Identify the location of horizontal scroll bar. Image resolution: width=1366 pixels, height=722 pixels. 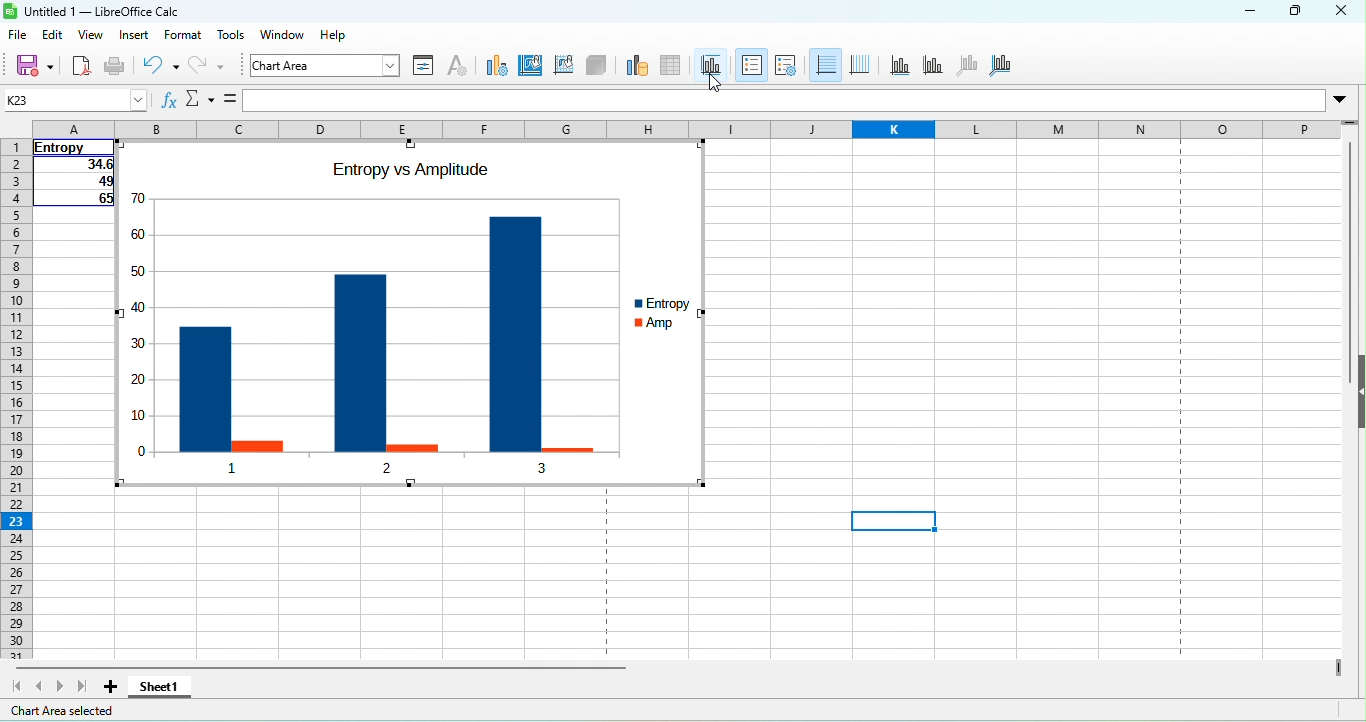
(323, 667).